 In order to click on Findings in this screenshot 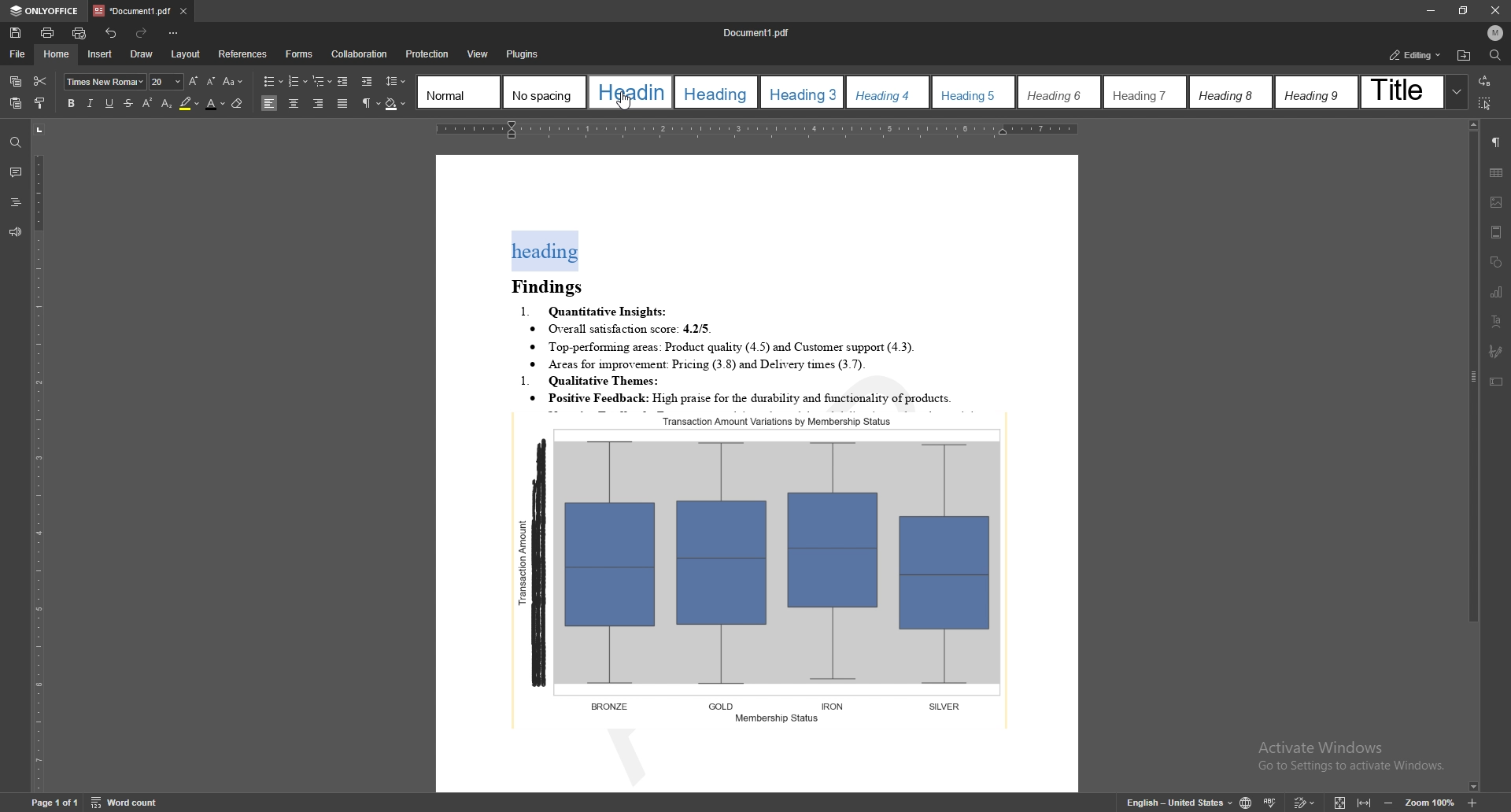, I will do `click(554, 284)`.